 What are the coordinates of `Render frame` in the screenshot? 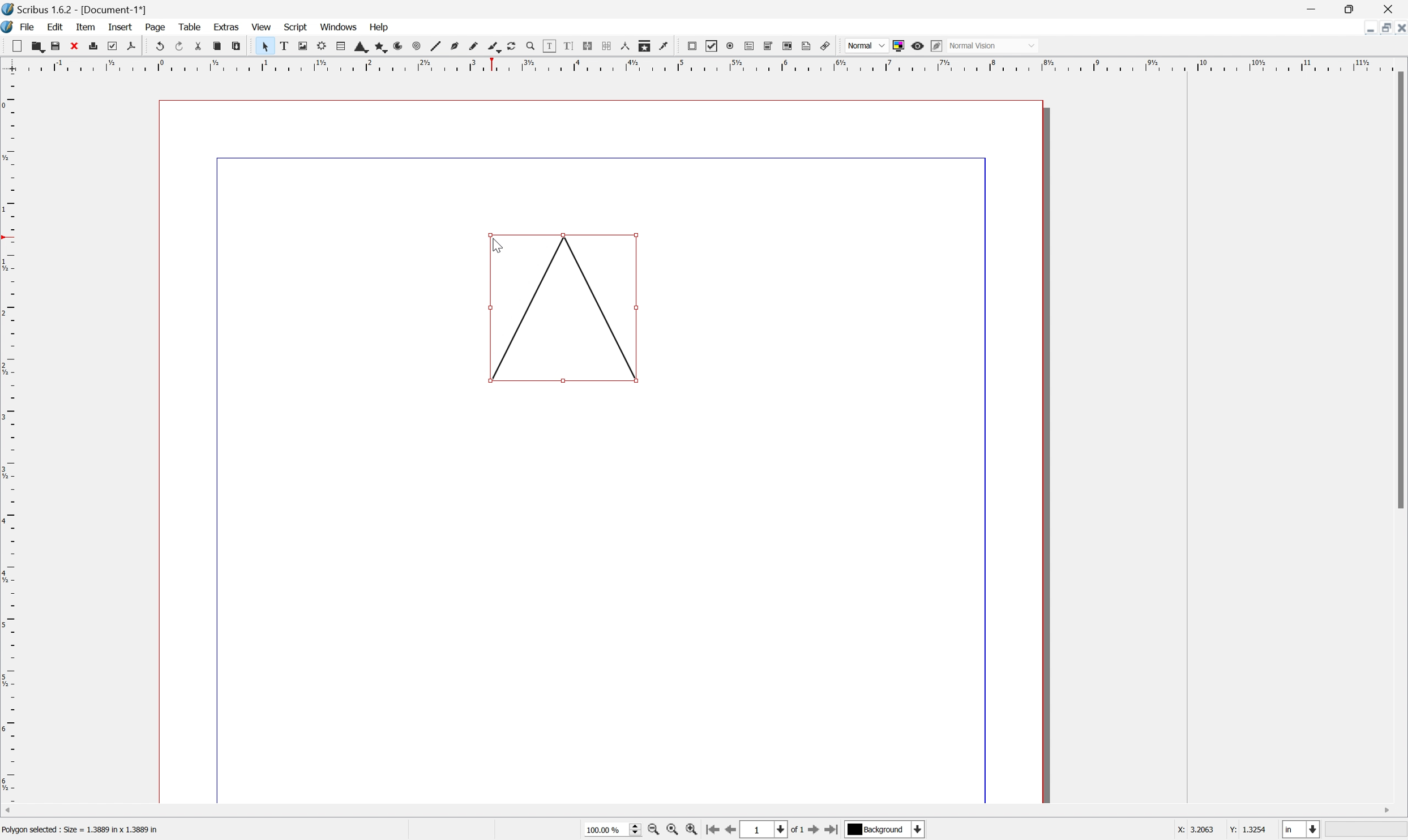 It's located at (322, 47).